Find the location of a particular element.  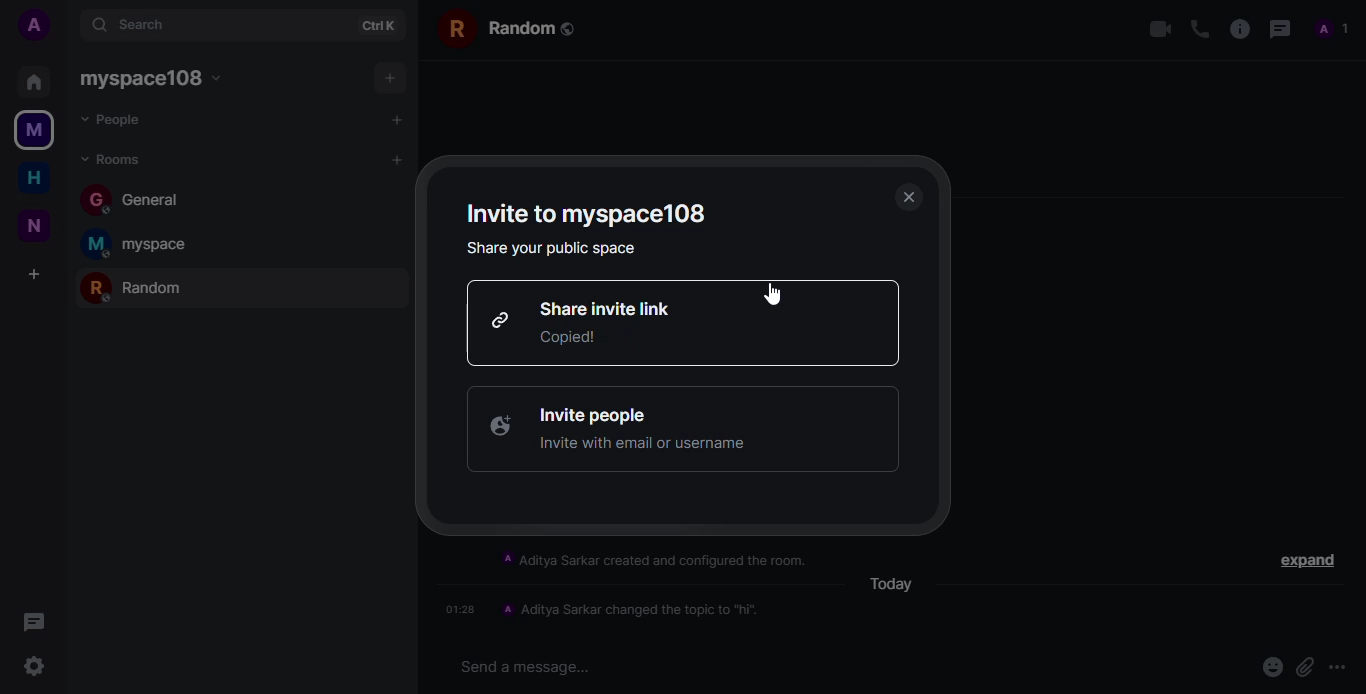

people is located at coordinates (127, 118).